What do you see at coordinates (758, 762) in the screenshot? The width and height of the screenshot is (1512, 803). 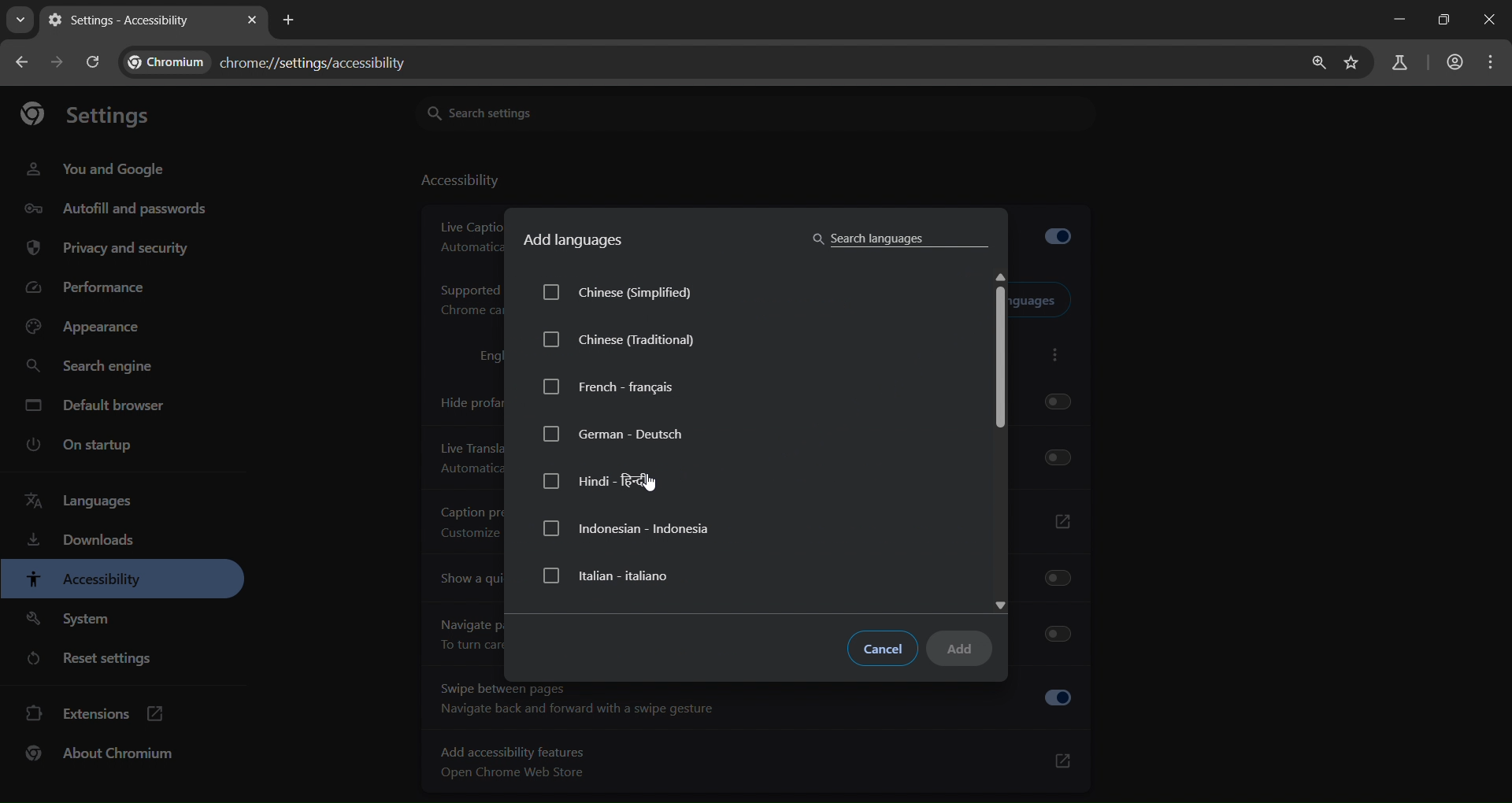 I see `Add accessibility features @
Open Chrome Web Store` at bounding box center [758, 762].